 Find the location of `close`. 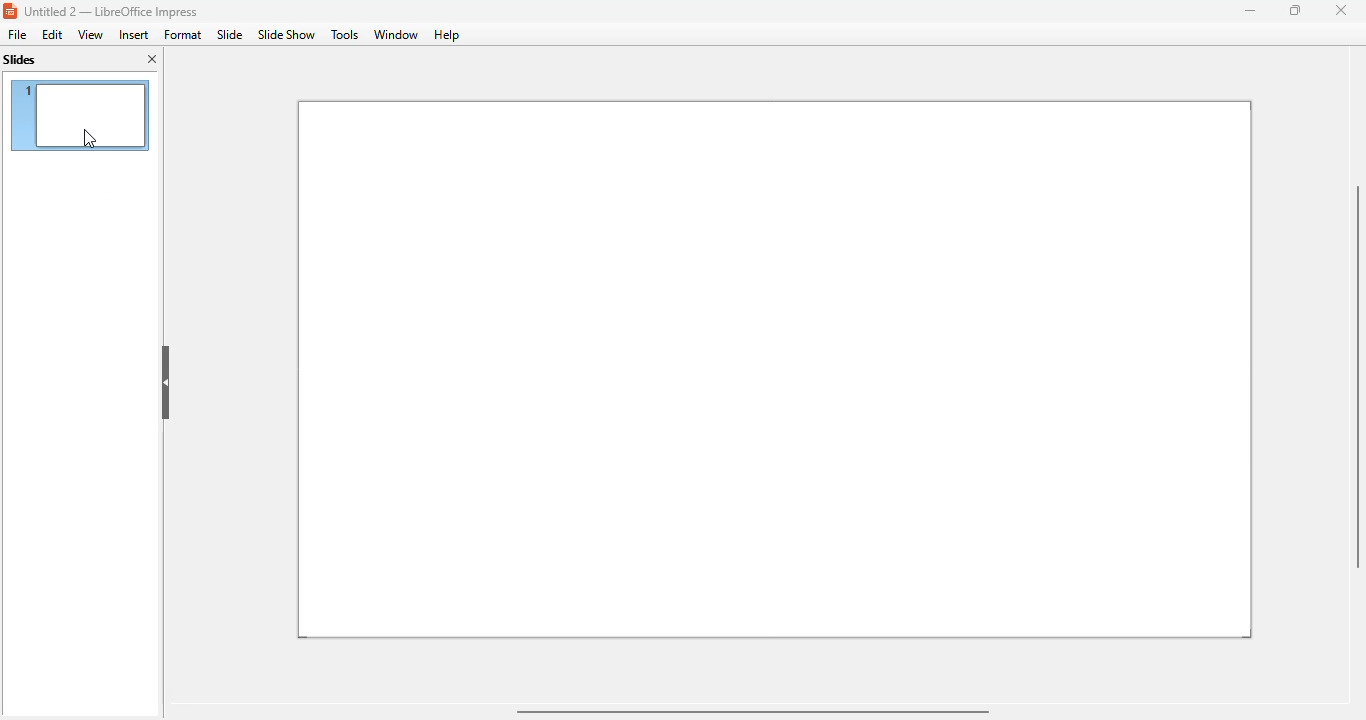

close is located at coordinates (1340, 10).